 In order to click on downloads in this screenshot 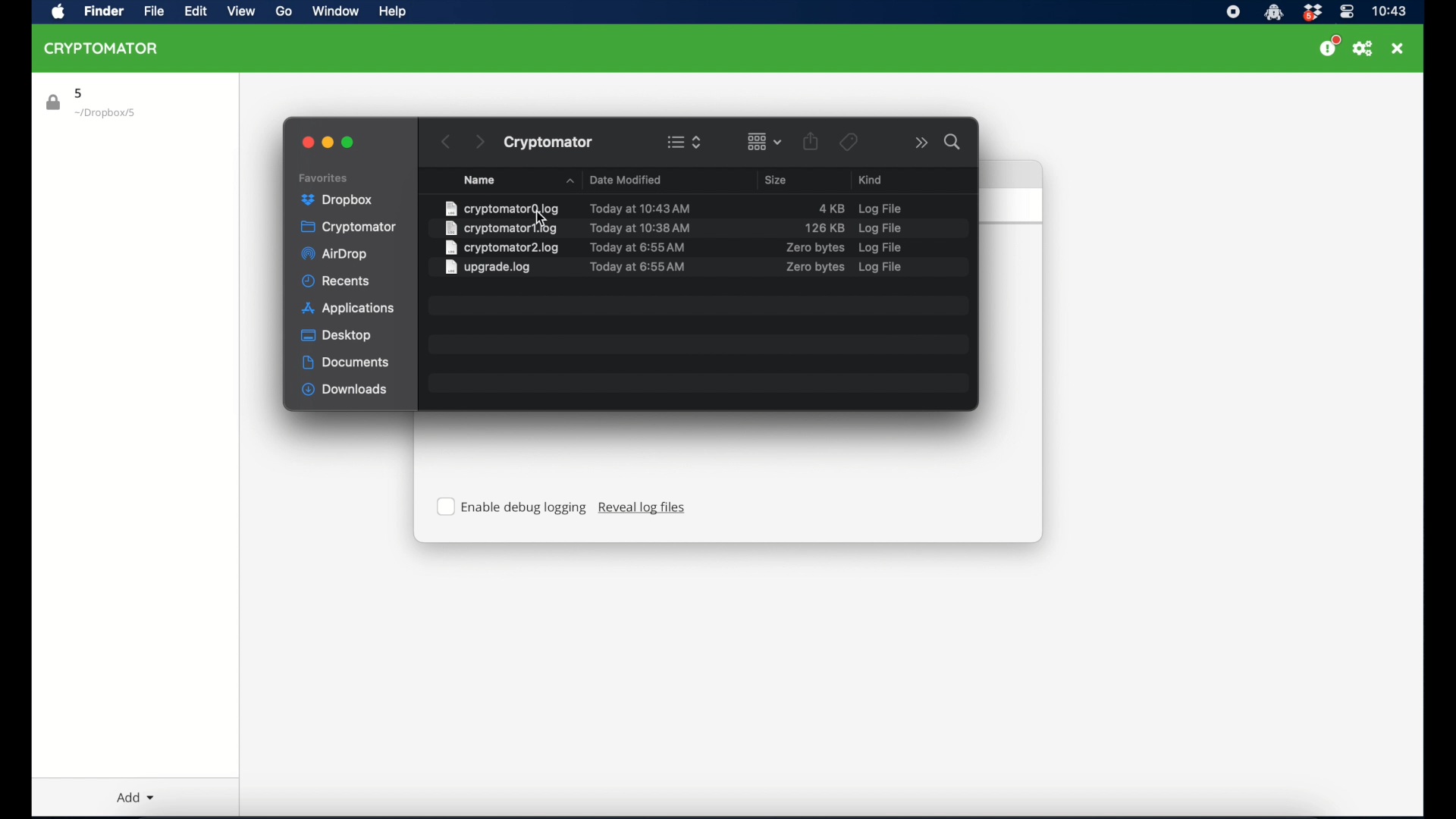, I will do `click(346, 390)`.